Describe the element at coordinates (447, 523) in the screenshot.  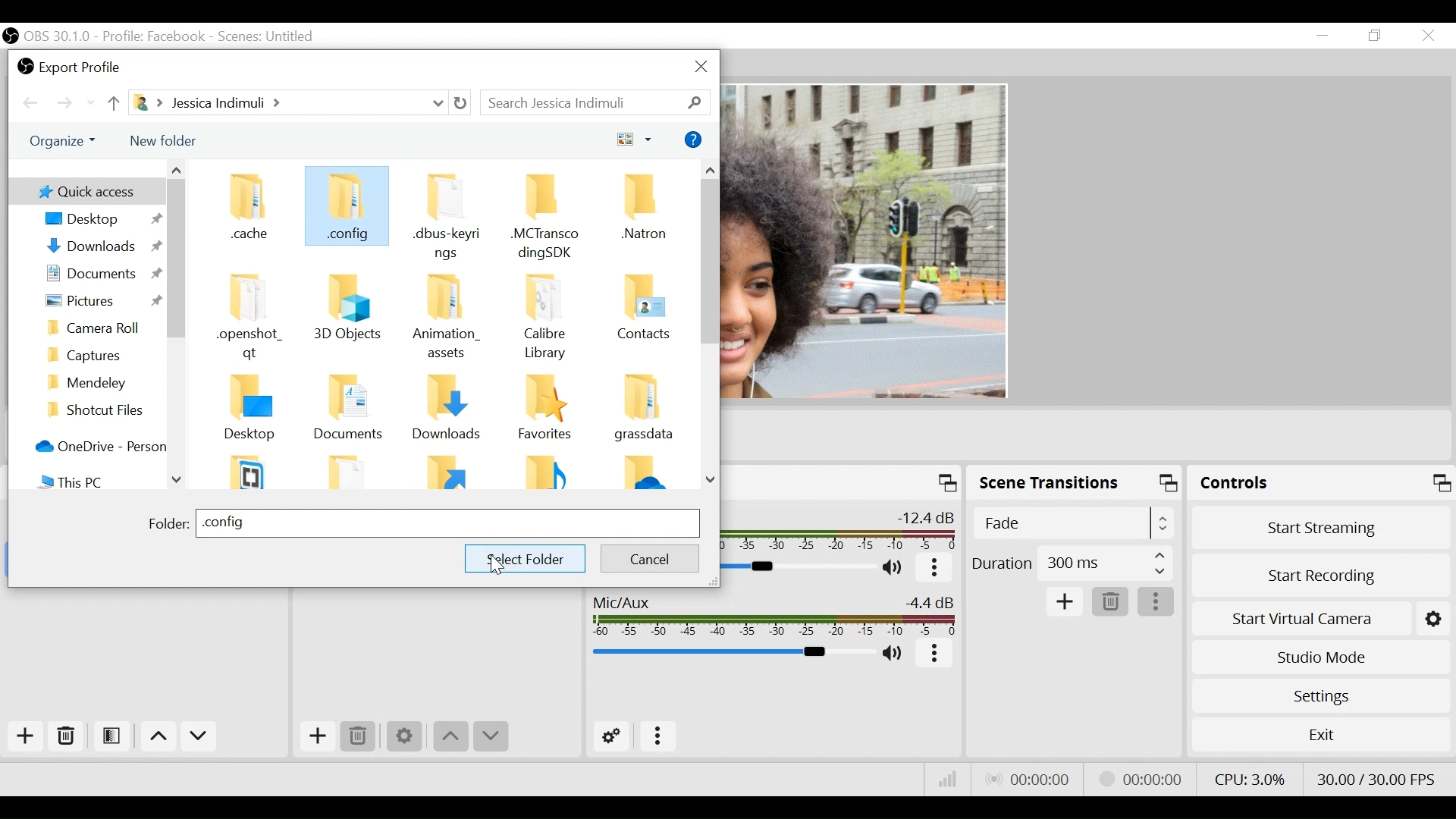
I see `Folder Field` at that location.